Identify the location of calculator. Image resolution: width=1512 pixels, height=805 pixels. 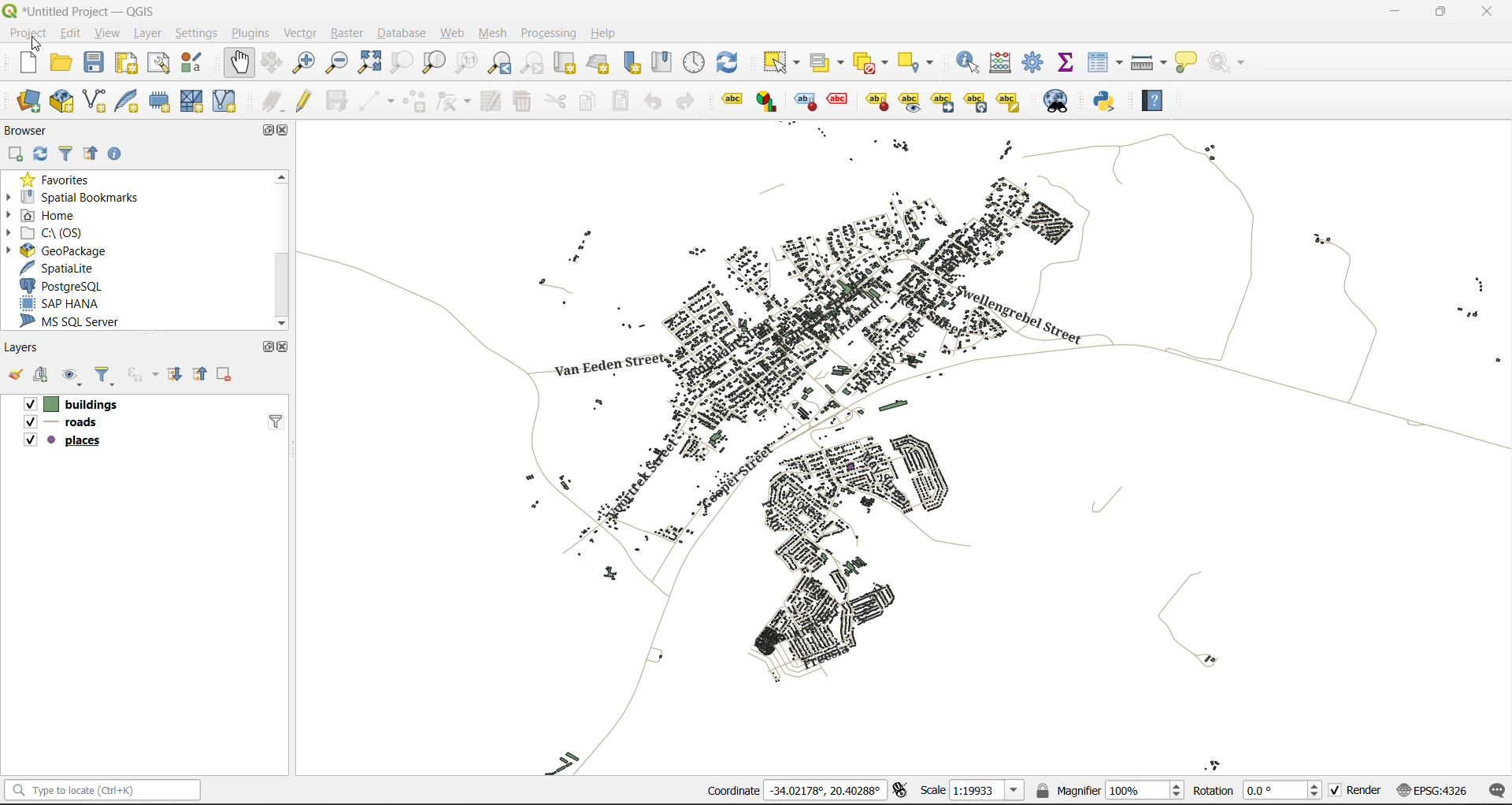
(1003, 63).